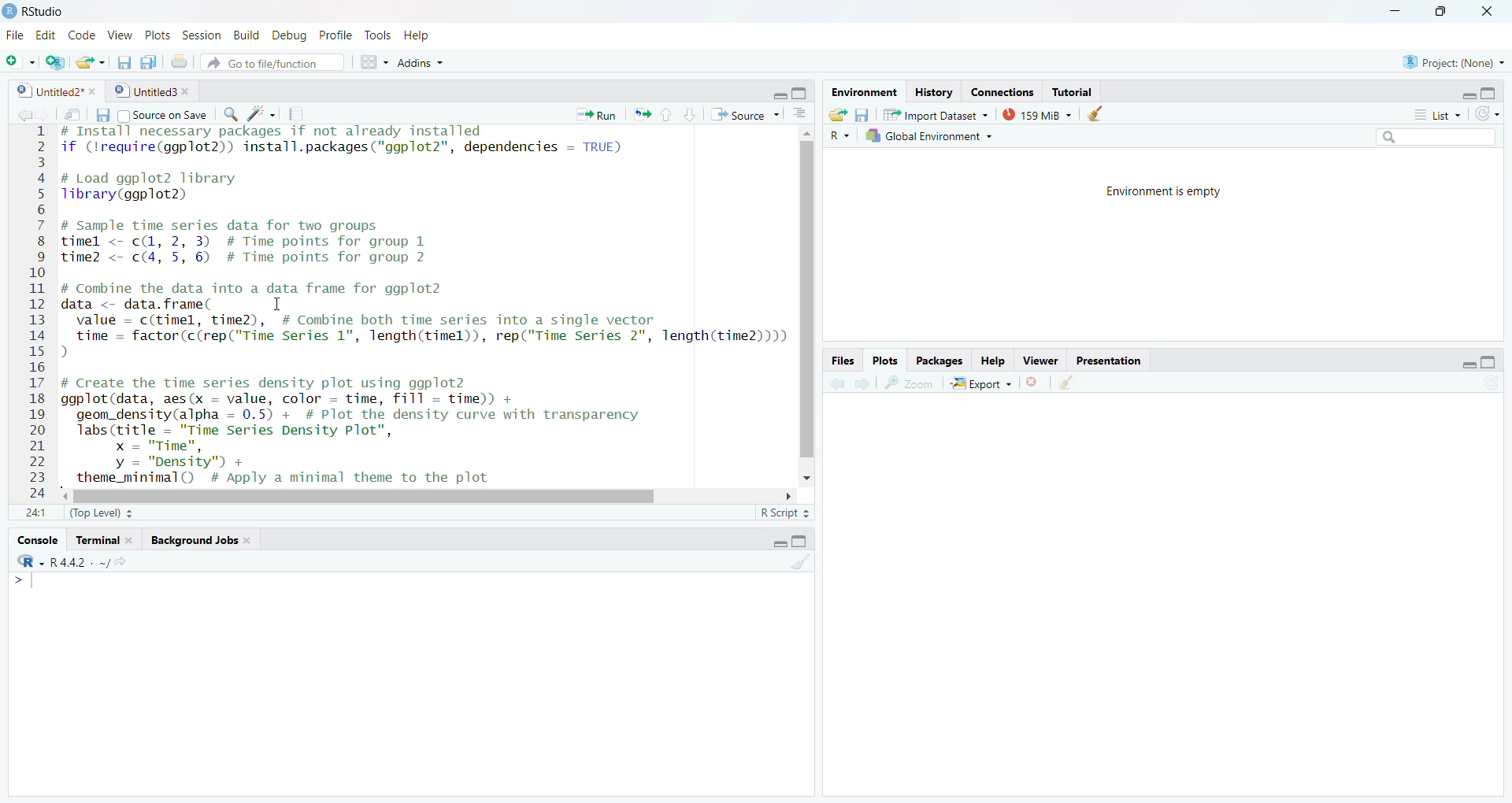 The width and height of the screenshot is (1512, 803). I want to click on Untitled3, so click(151, 90).